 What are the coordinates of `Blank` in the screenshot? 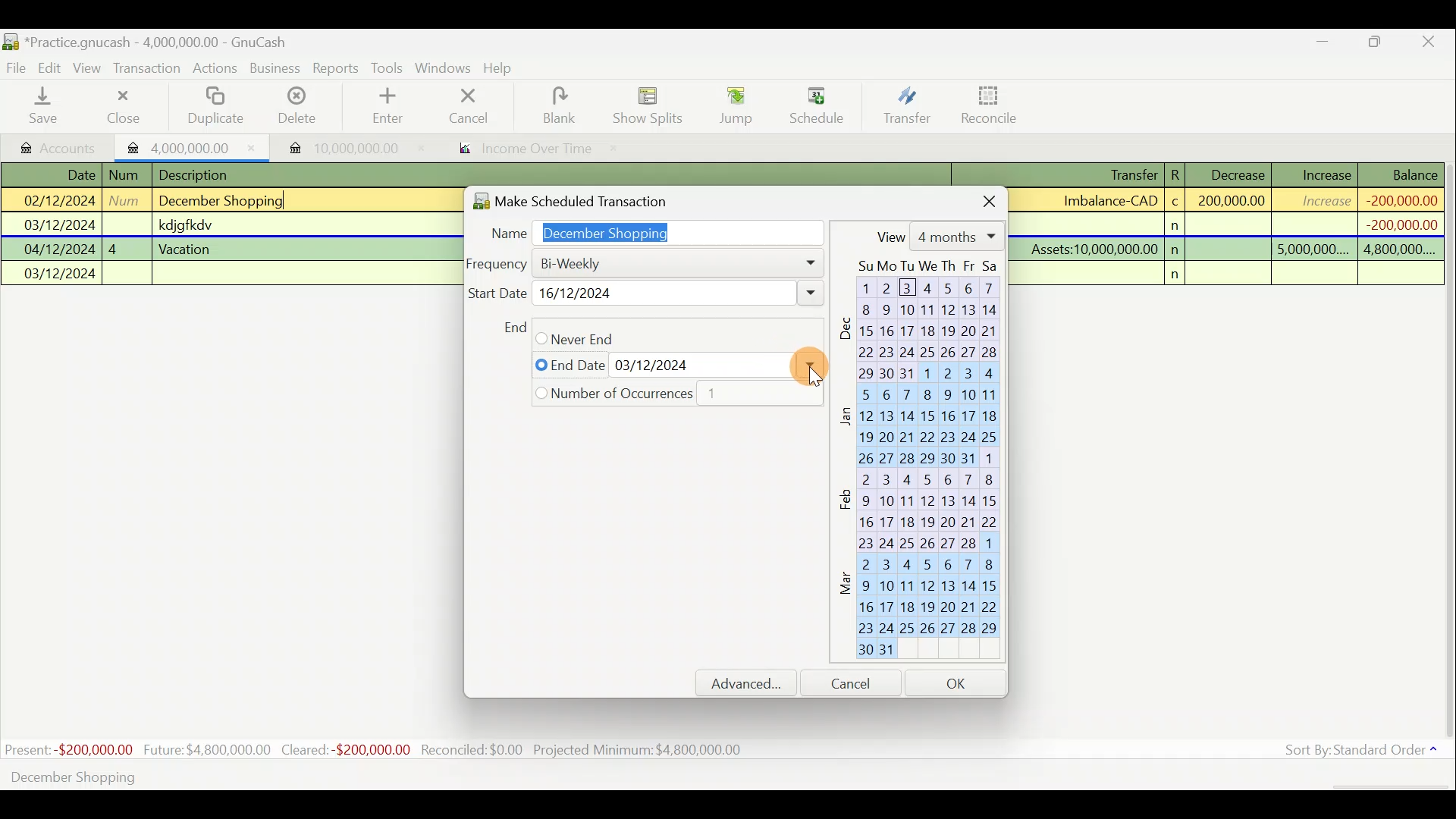 It's located at (557, 106).